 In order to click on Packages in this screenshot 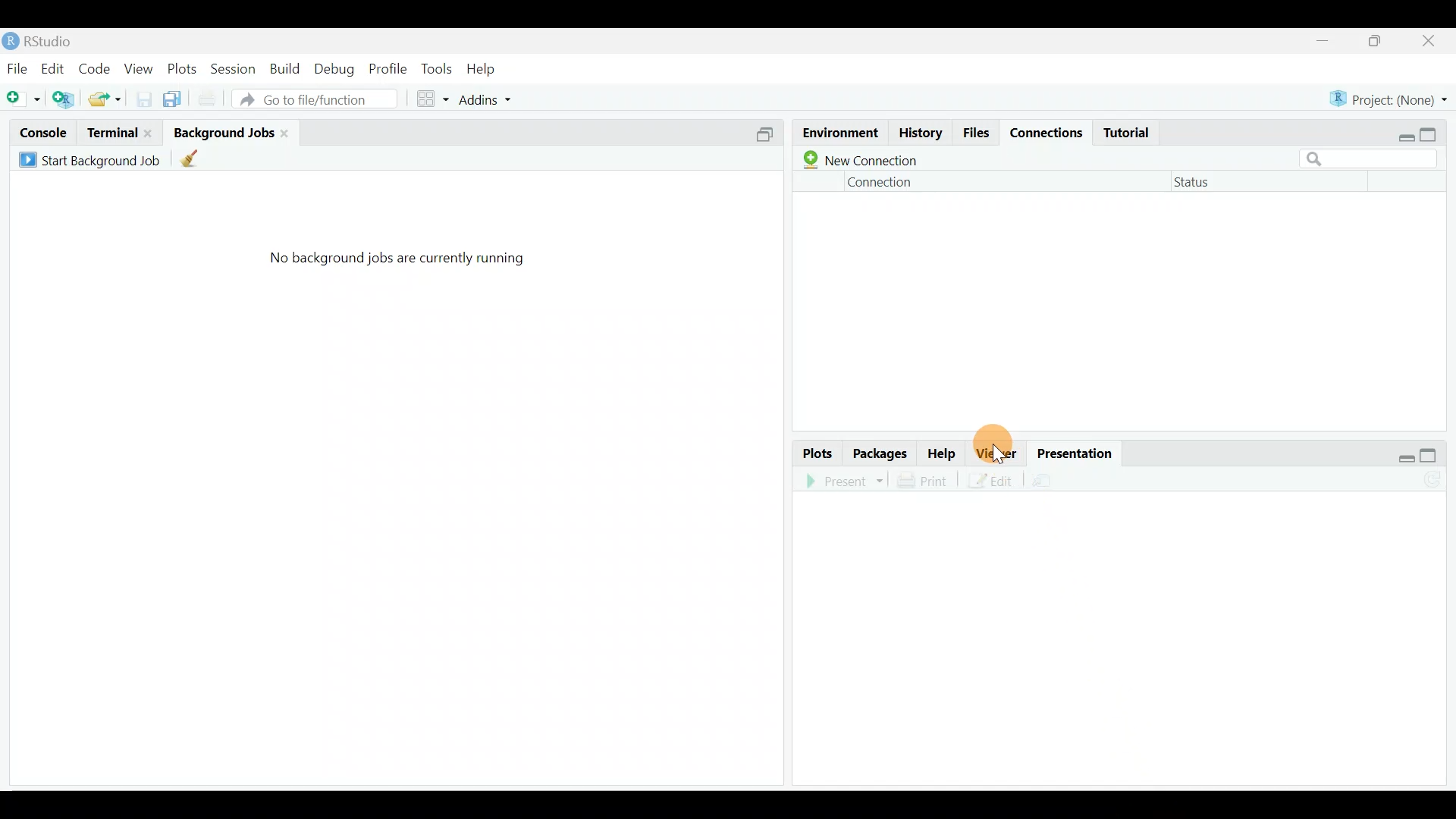, I will do `click(882, 455)`.